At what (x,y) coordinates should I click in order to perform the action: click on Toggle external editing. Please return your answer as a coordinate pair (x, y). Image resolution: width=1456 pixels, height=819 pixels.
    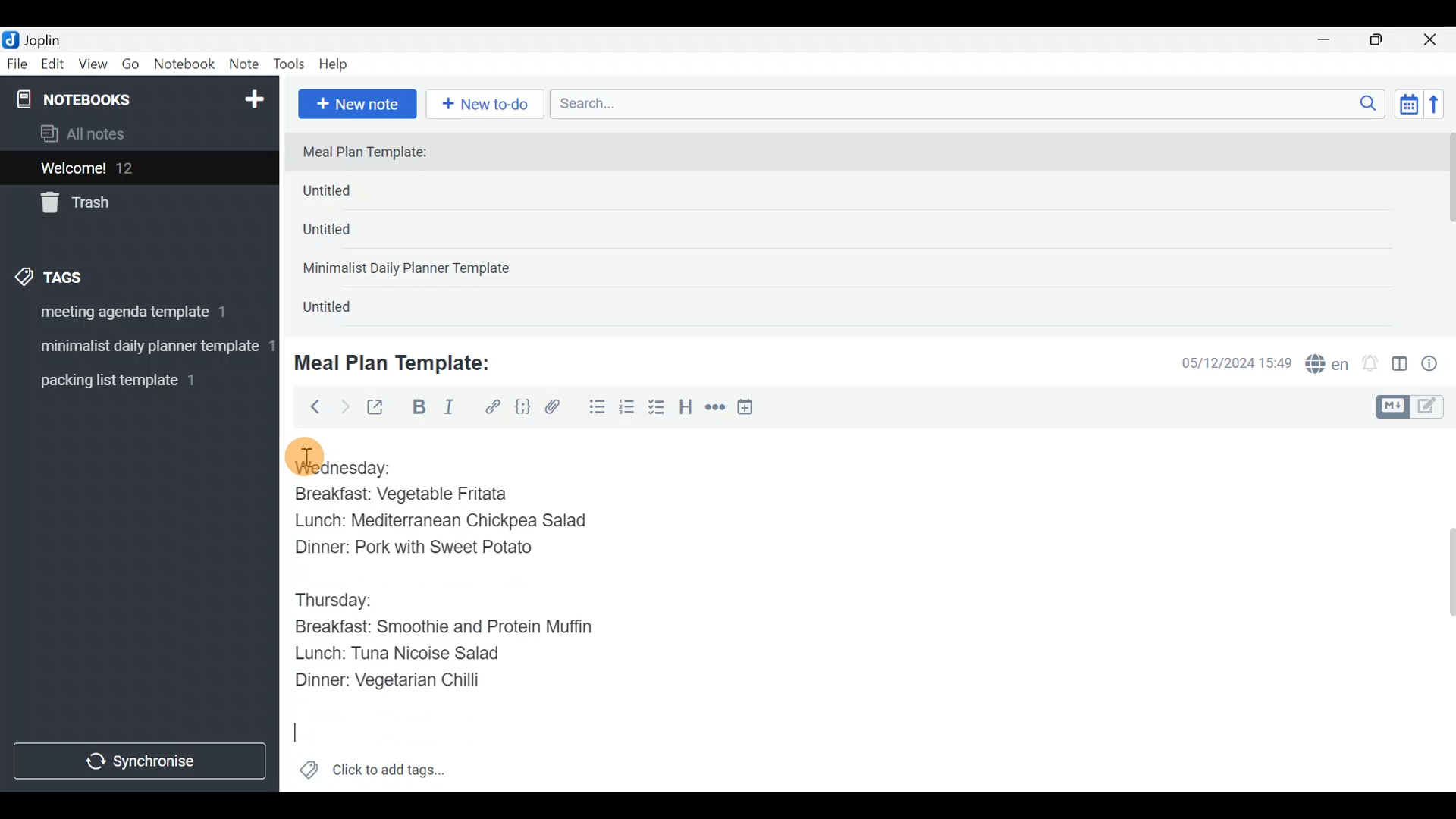
    Looking at the image, I should click on (381, 408).